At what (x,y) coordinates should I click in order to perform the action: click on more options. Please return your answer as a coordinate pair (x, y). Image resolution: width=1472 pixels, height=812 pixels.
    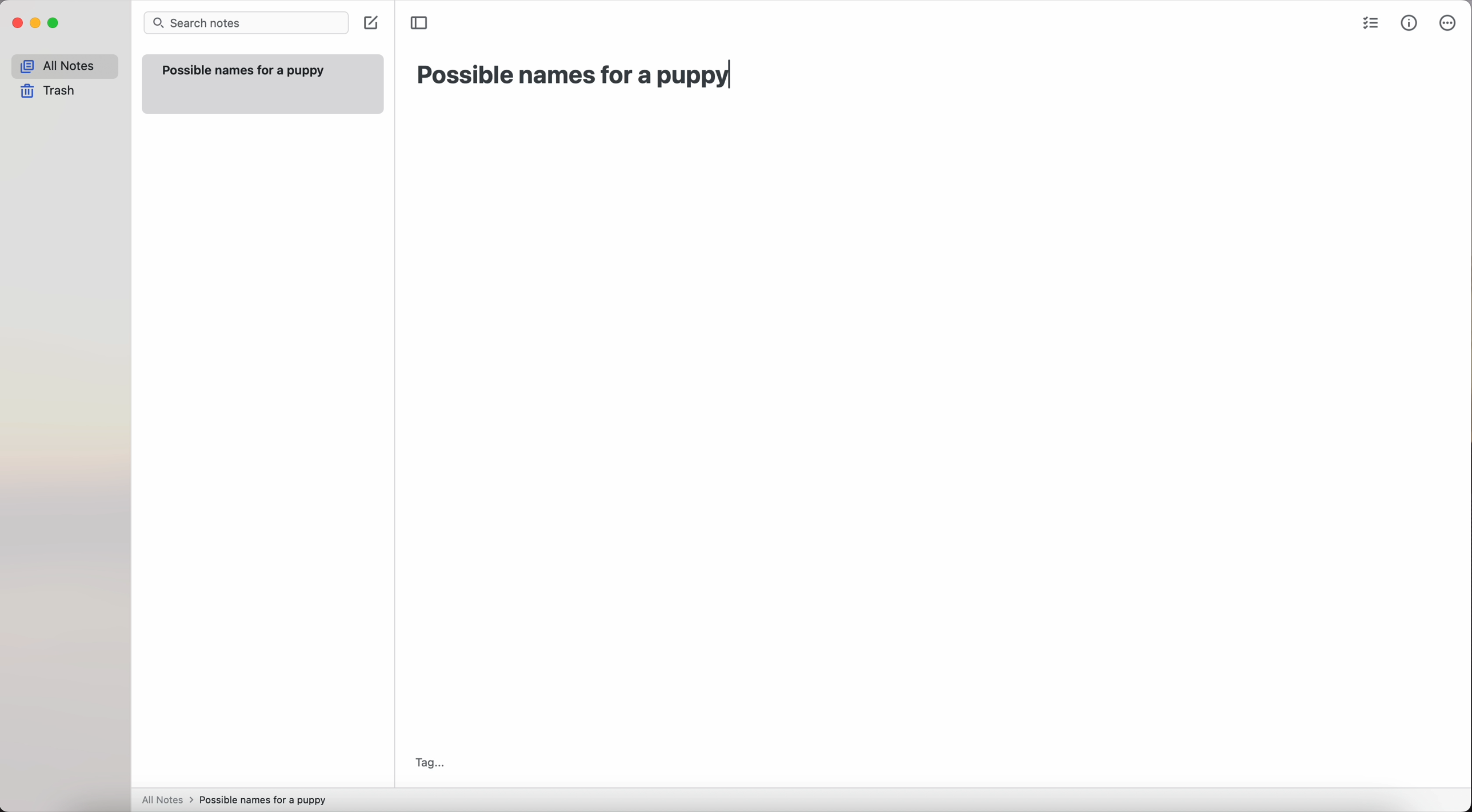
    Looking at the image, I should click on (1449, 24).